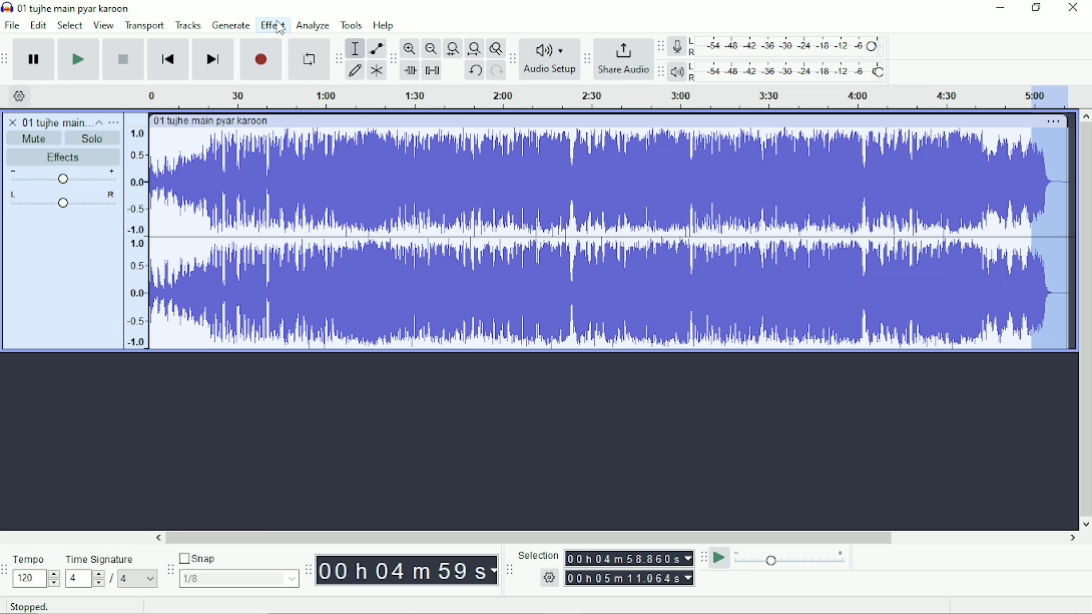  I want to click on settings, so click(549, 577).